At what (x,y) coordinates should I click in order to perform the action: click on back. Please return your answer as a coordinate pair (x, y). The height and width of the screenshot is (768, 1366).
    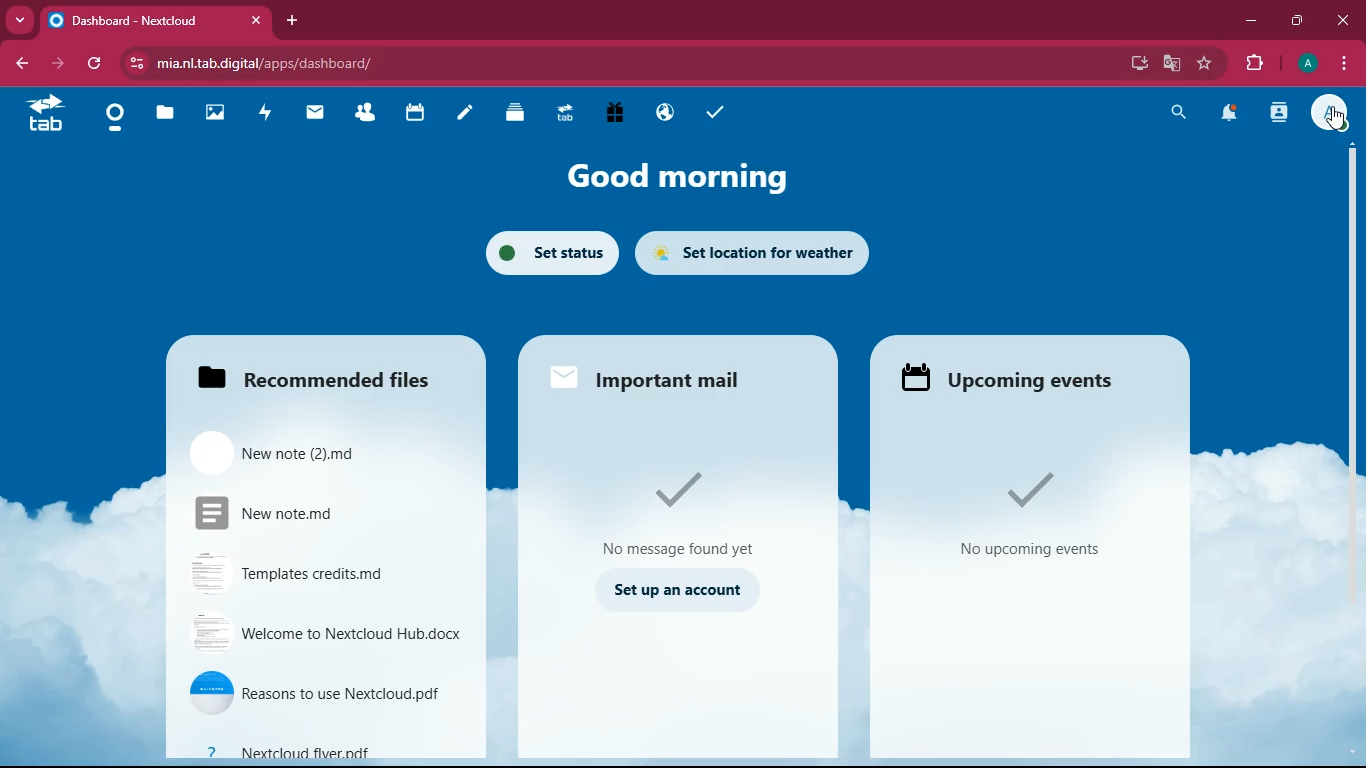
    Looking at the image, I should click on (17, 65).